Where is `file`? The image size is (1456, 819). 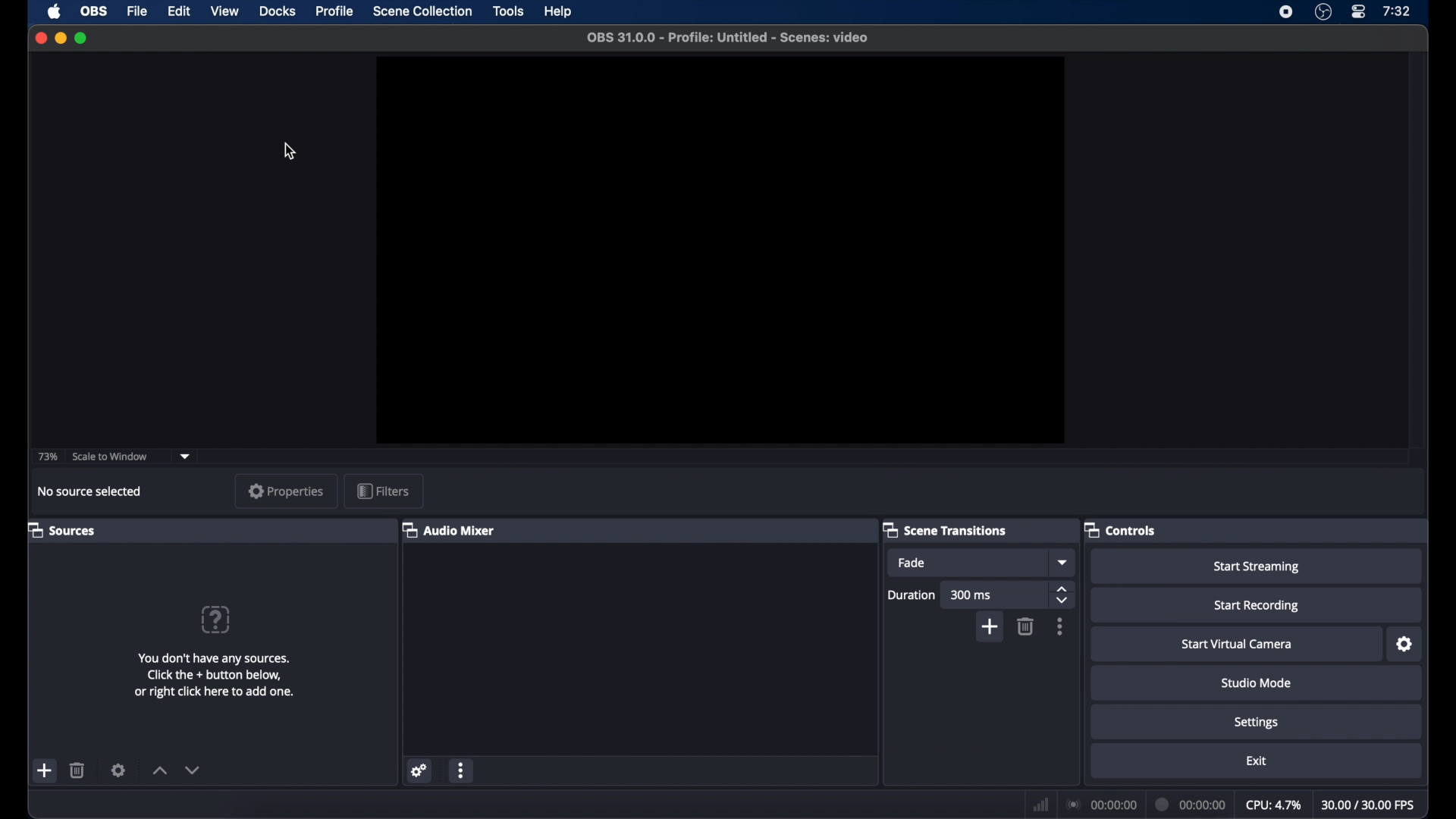 file is located at coordinates (138, 11).